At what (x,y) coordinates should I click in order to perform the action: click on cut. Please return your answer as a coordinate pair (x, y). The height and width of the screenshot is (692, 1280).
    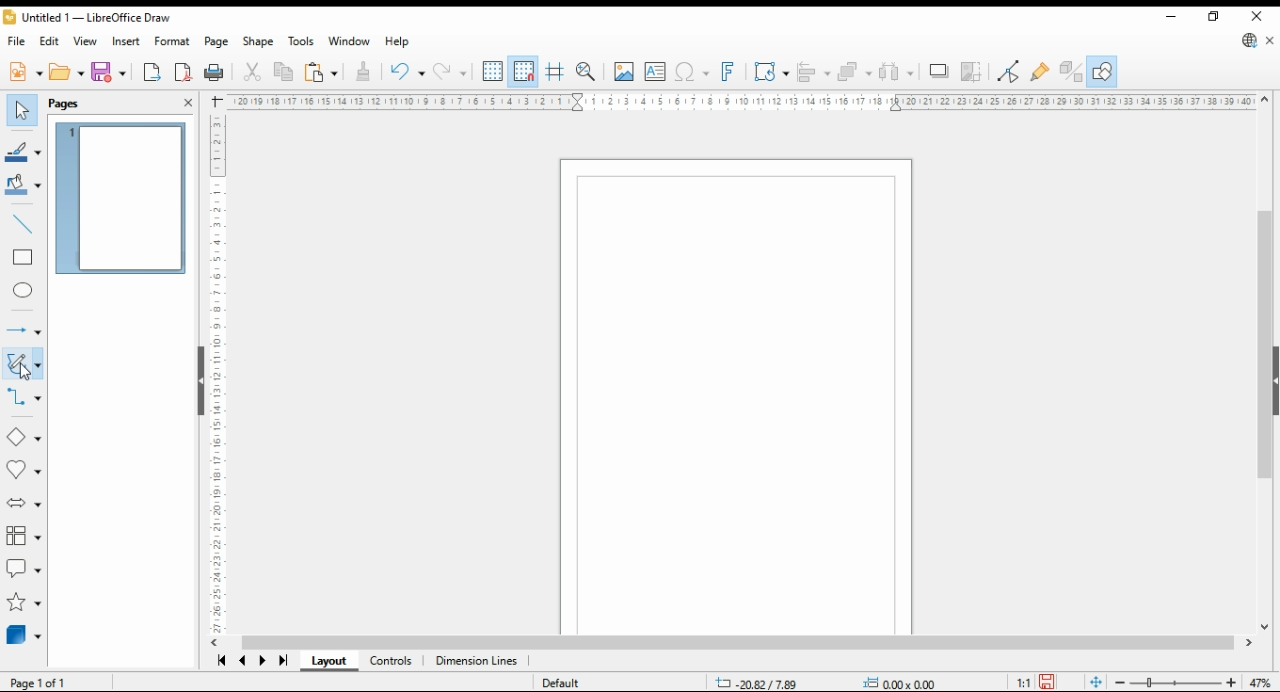
    Looking at the image, I should click on (253, 71).